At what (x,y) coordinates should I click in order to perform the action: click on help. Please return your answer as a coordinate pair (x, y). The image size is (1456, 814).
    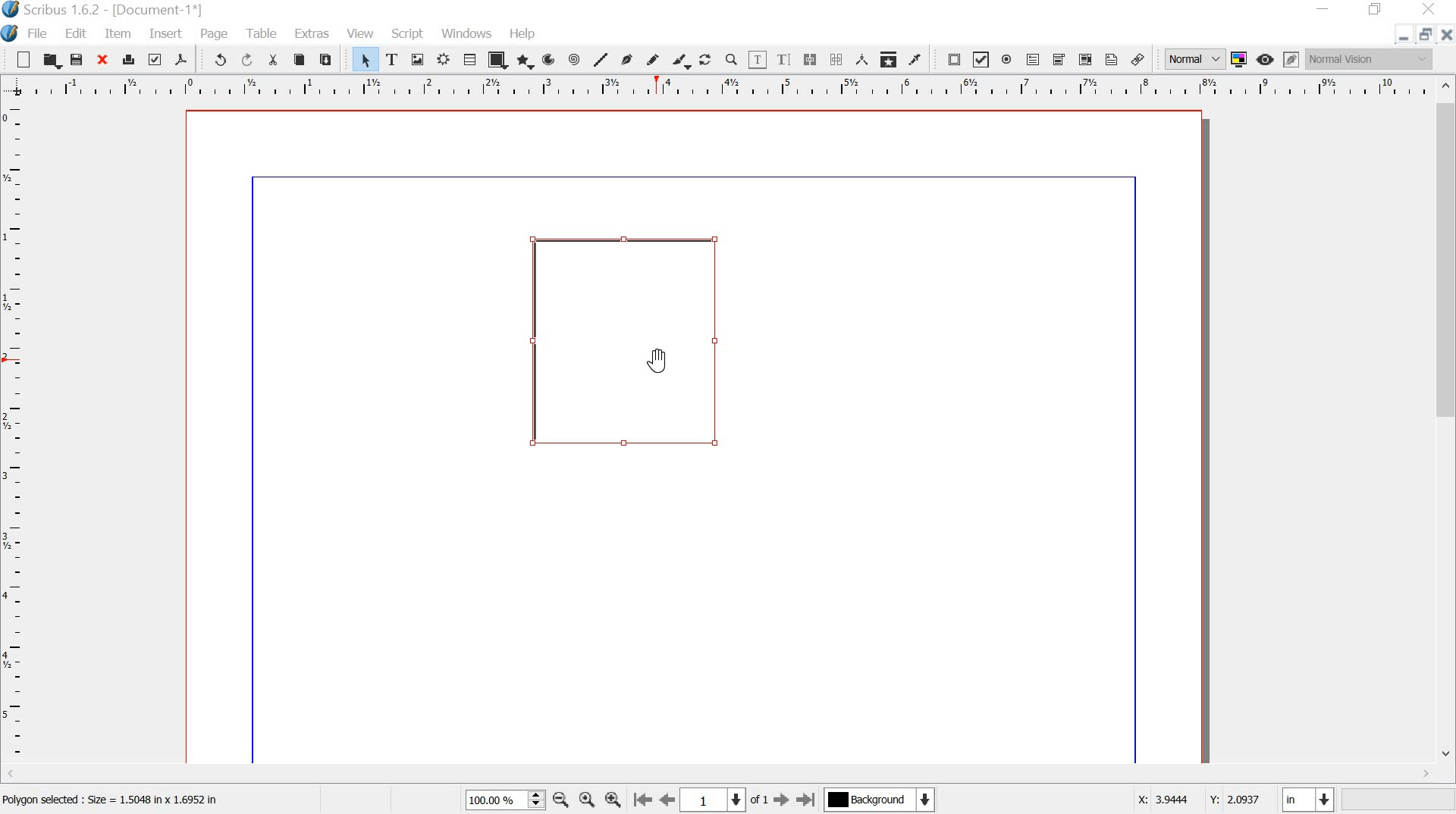
    Looking at the image, I should click on (525, 35).